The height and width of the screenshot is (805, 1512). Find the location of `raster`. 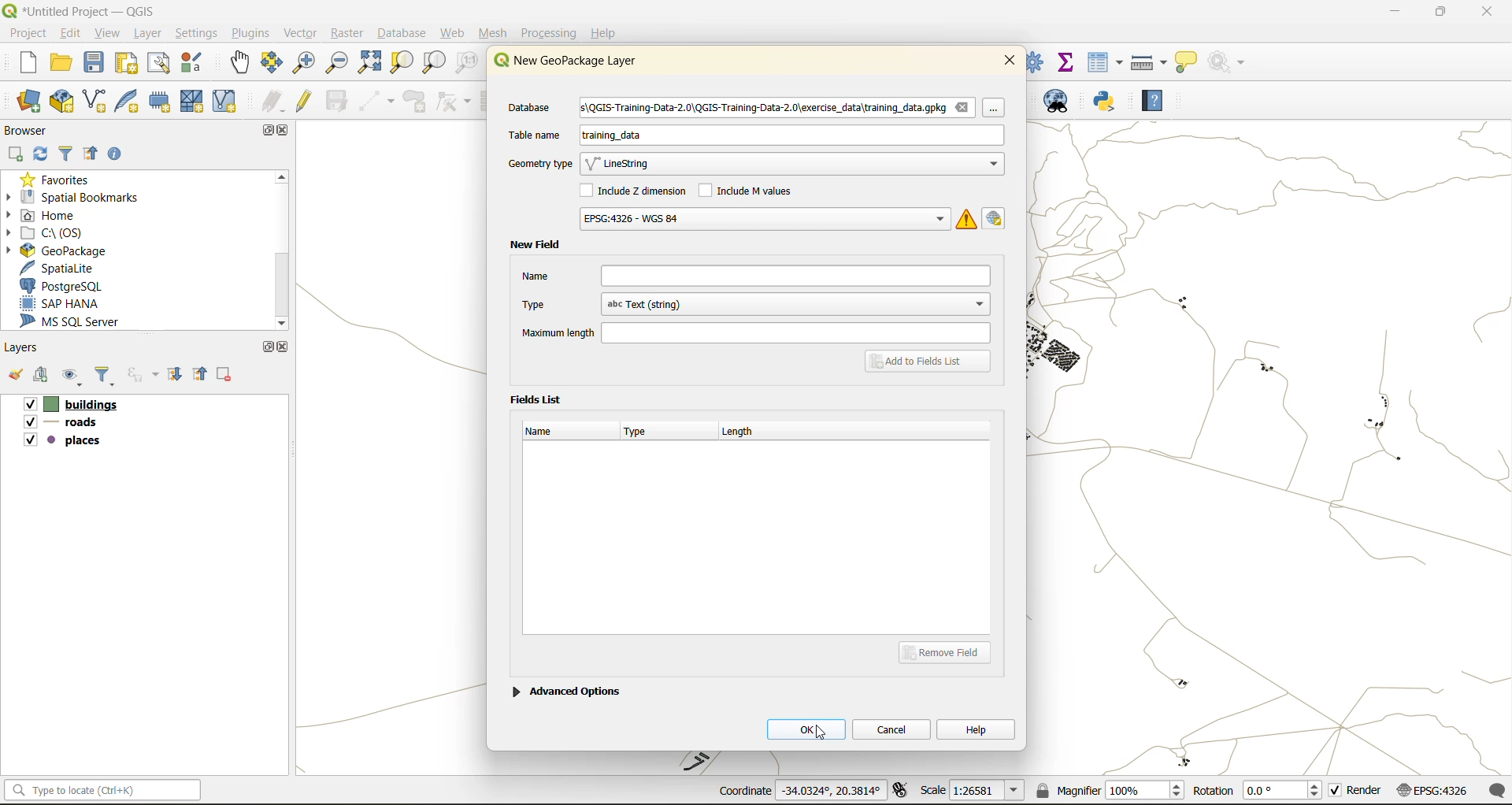

raster is located at coordinates (347, 34).